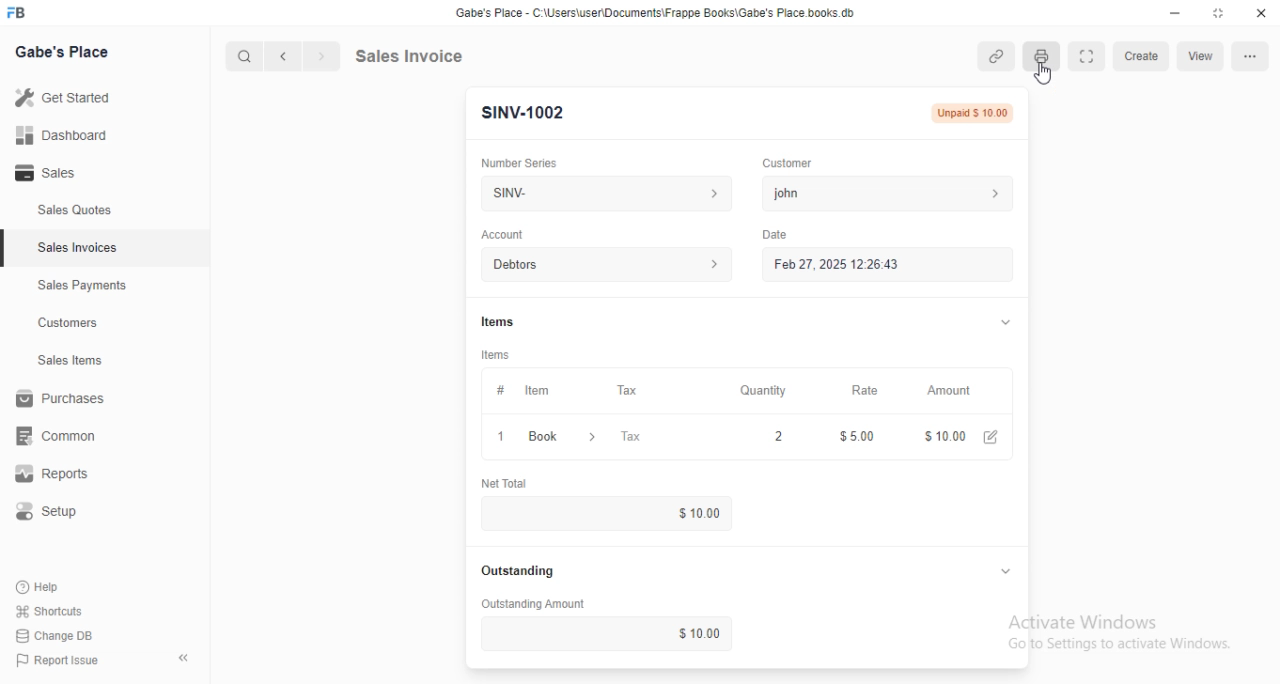  What do you see at coordinates (857, 436) in the screenshot?
I see `$5.00` at bounding box center [857, 436].